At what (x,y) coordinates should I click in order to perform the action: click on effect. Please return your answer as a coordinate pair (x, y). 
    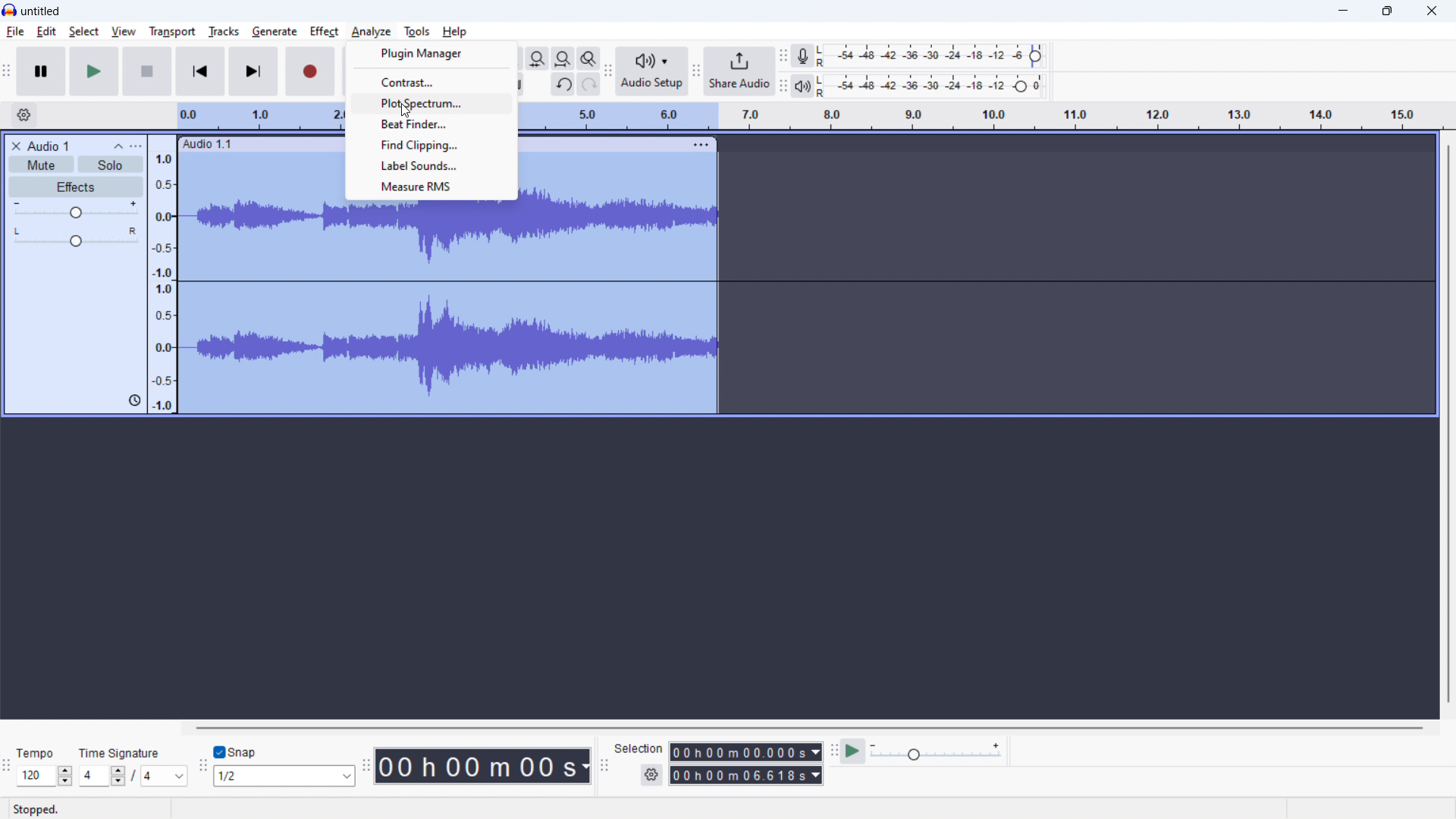
    Looking at the image, I should click on (76, 187).